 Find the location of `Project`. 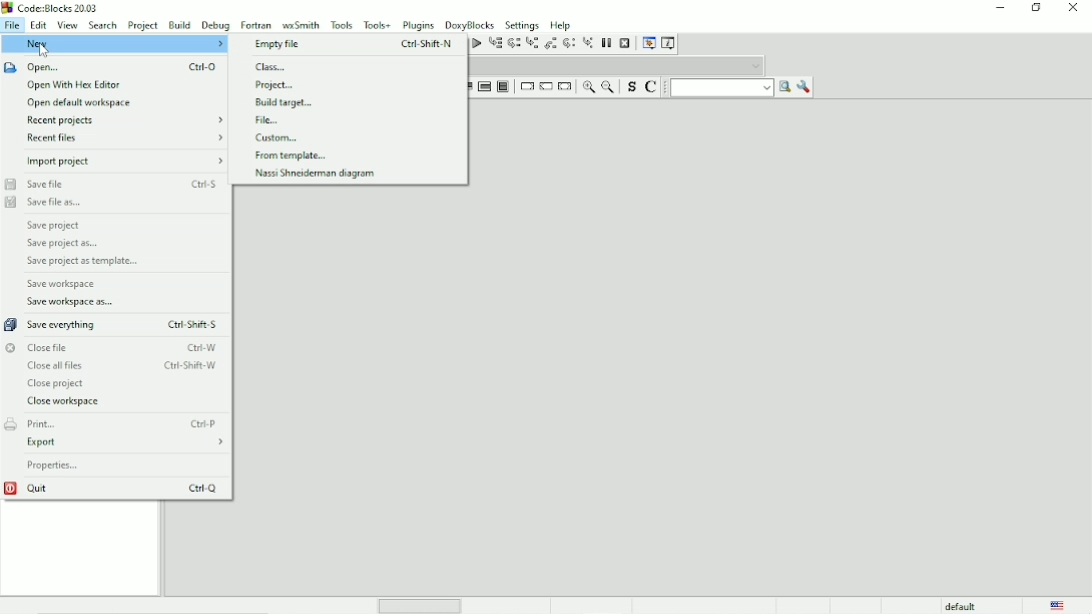

Project is located at coordinates (144, 24).